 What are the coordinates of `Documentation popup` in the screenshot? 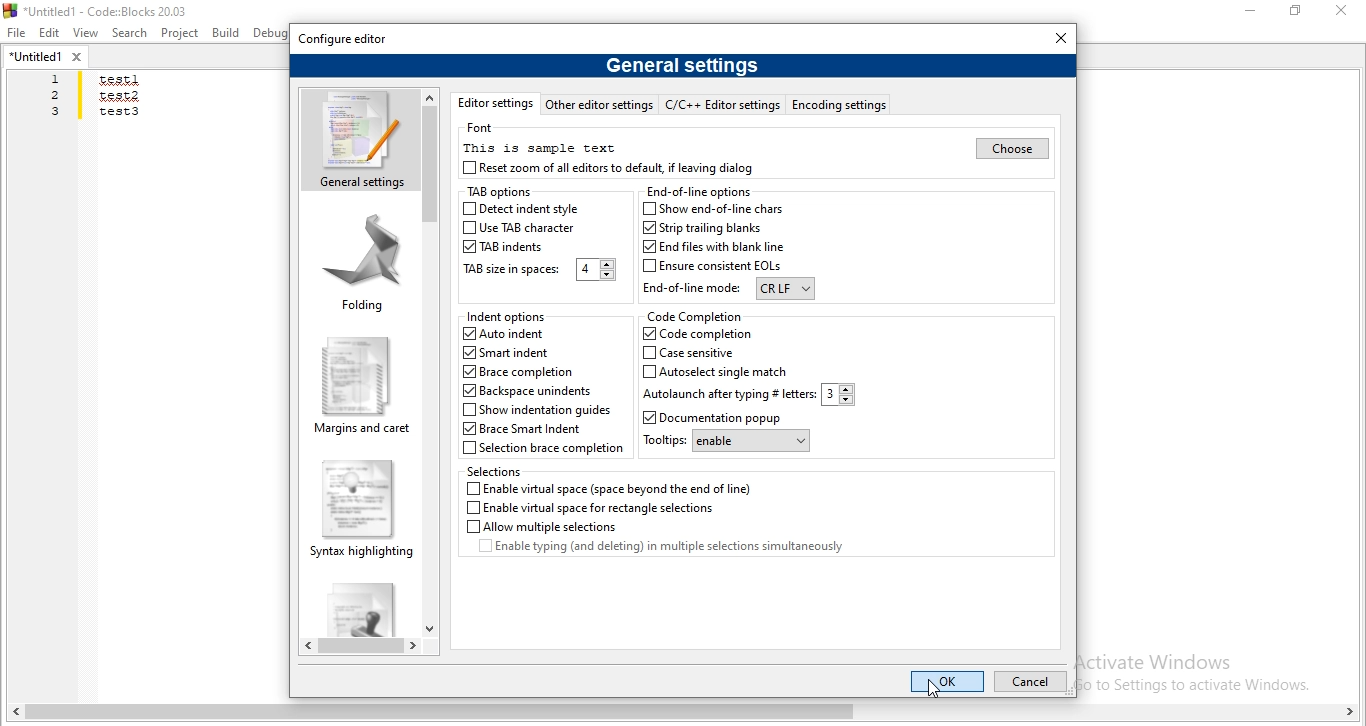 It's located at (726, 418).